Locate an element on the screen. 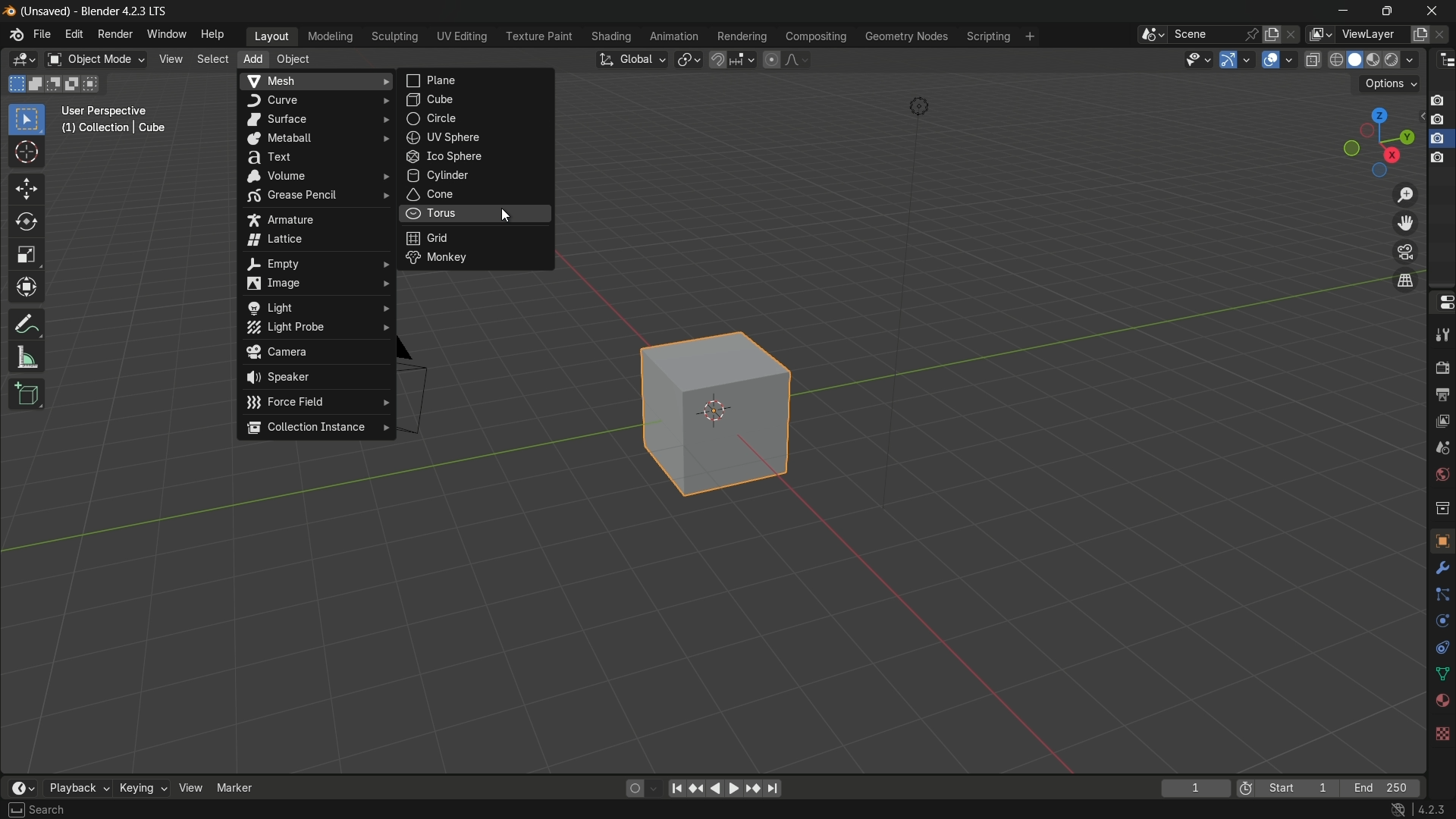 The image size is (1456, 819). compositing is located at coordinates (816, 36).